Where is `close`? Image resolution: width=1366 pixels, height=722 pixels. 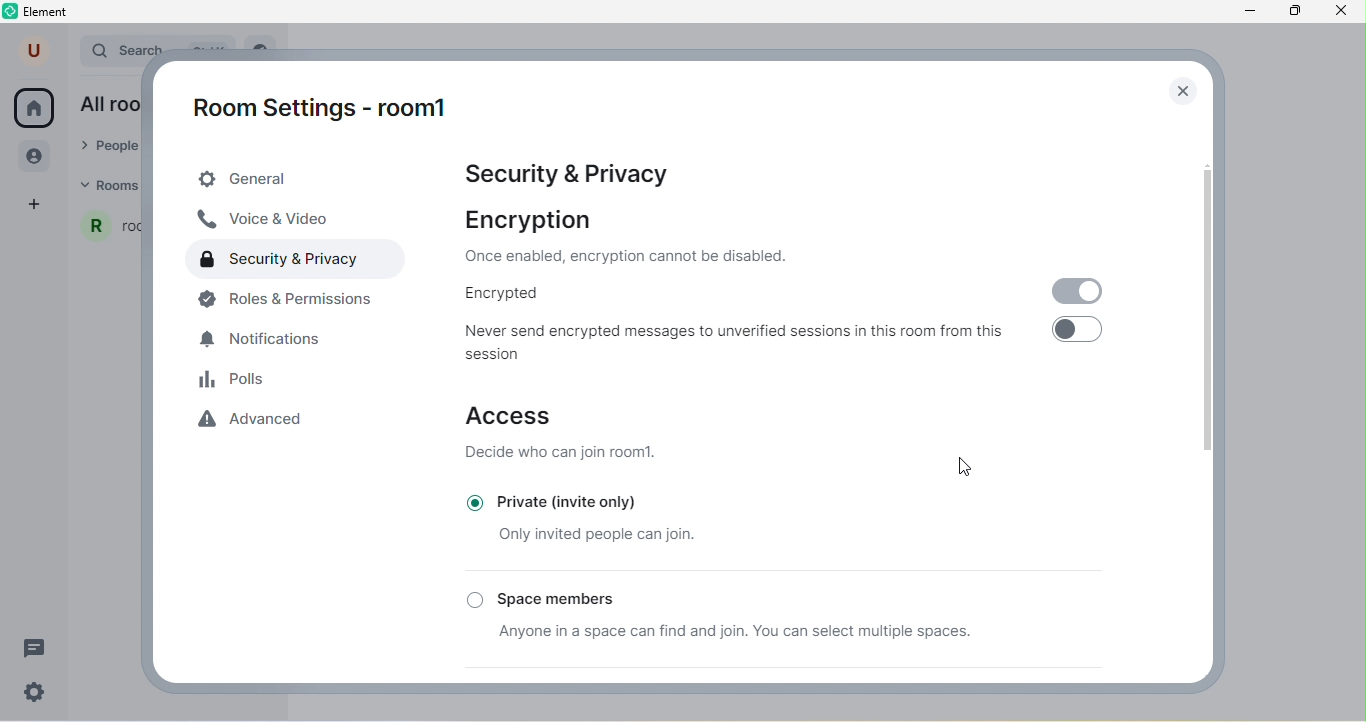
close is located at coordinates (1346, 14).